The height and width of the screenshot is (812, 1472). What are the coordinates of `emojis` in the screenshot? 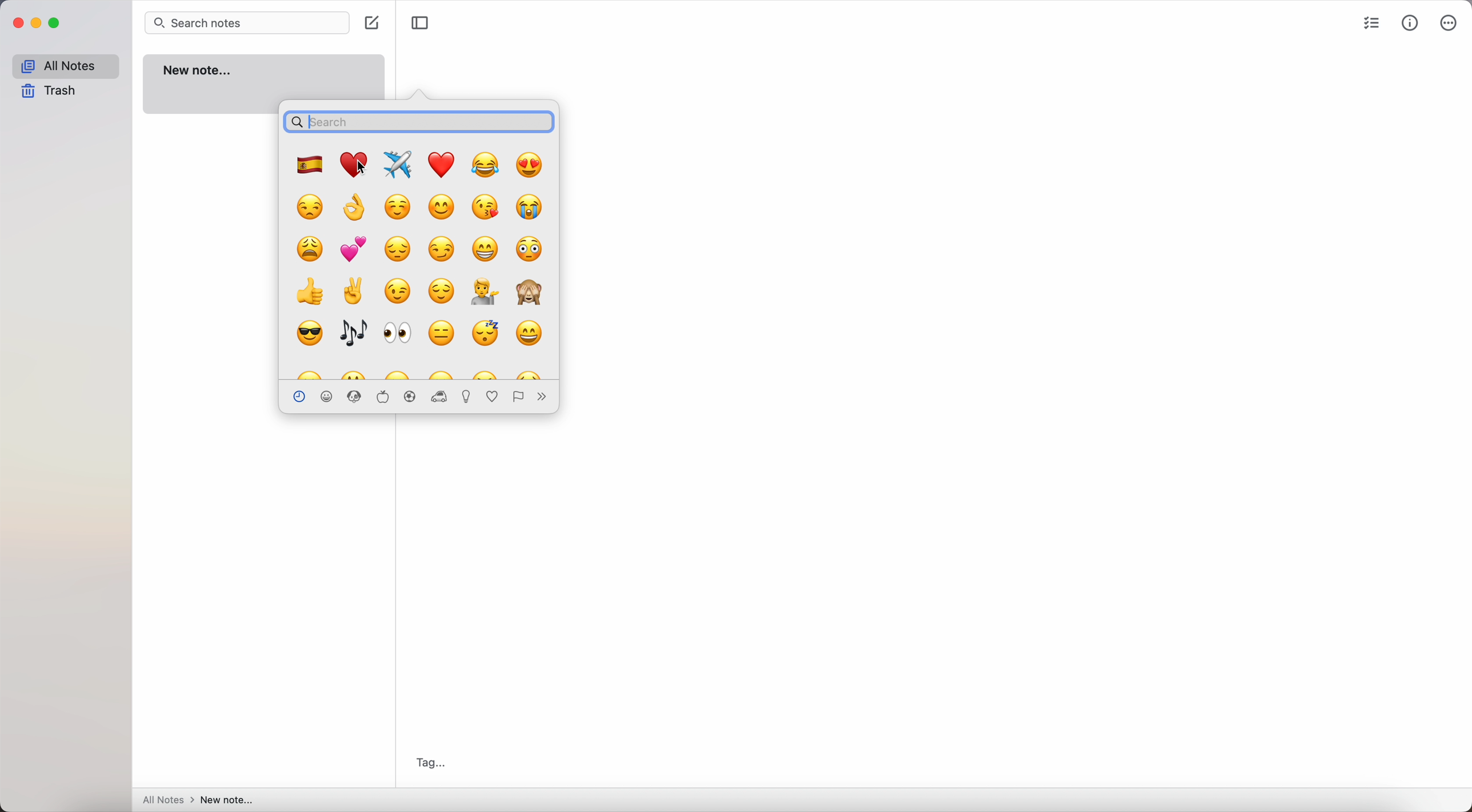 It's located at (410, 397).